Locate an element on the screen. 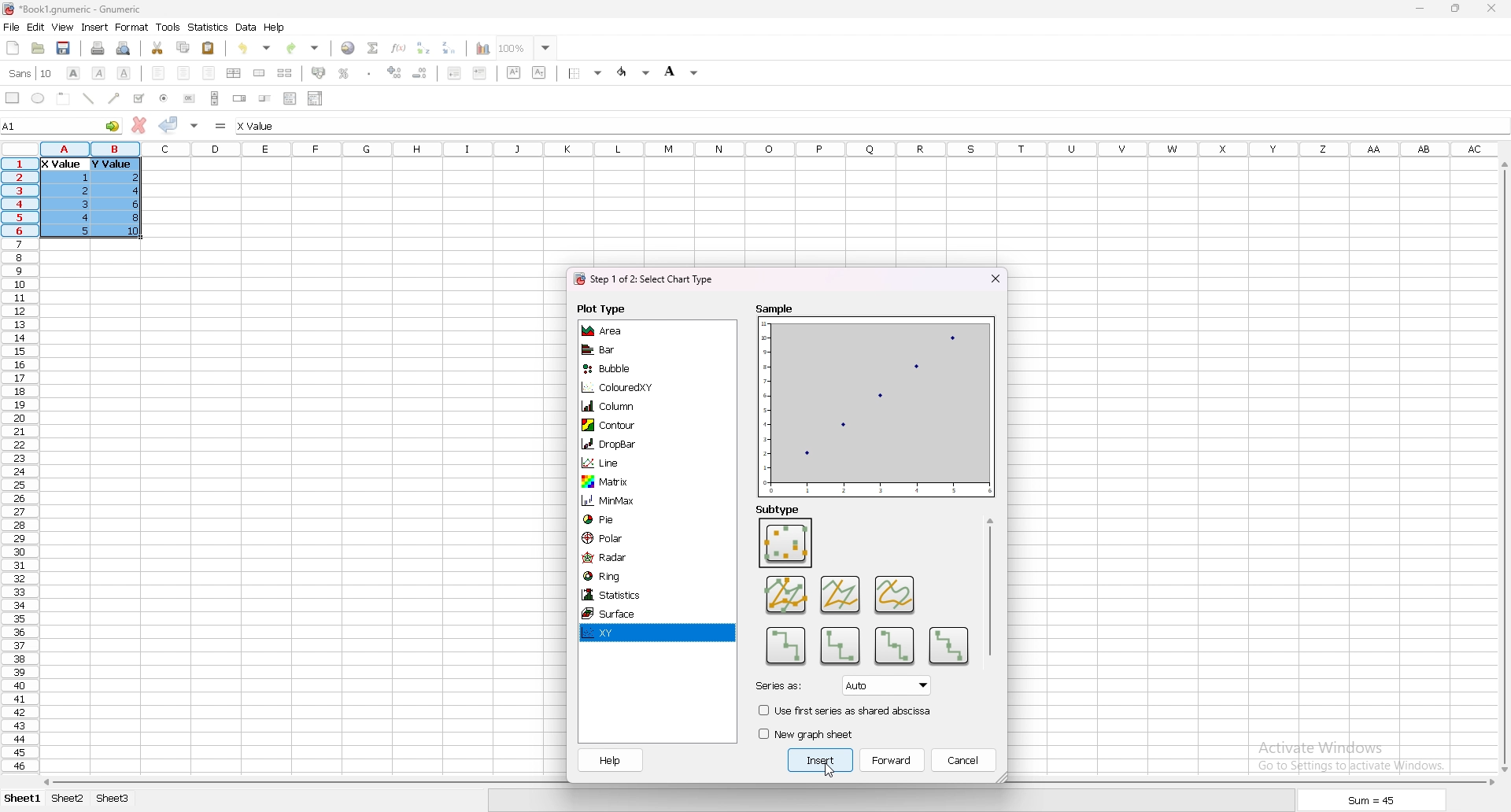 The width and height of the screenshot is (1511, 812). area is located at coordinates (626, 330).